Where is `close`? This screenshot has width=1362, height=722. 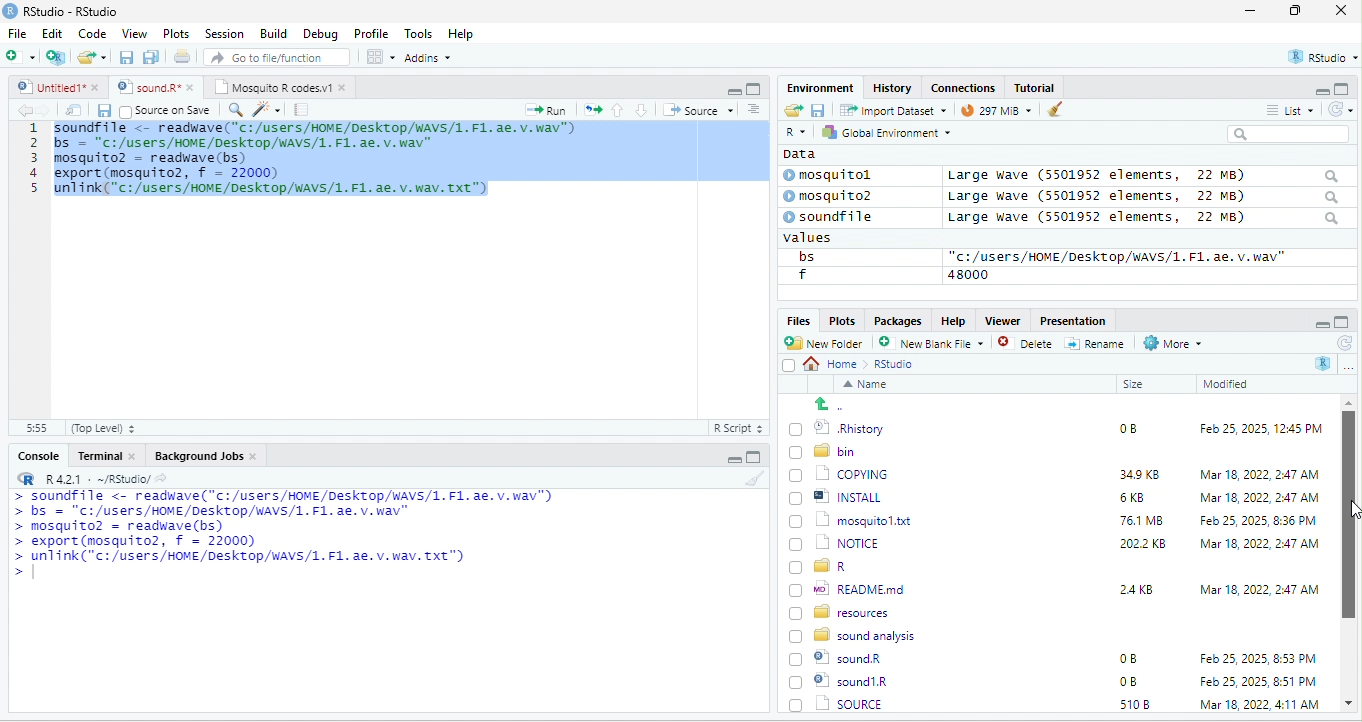
close is located at coordinates (1341, 12).